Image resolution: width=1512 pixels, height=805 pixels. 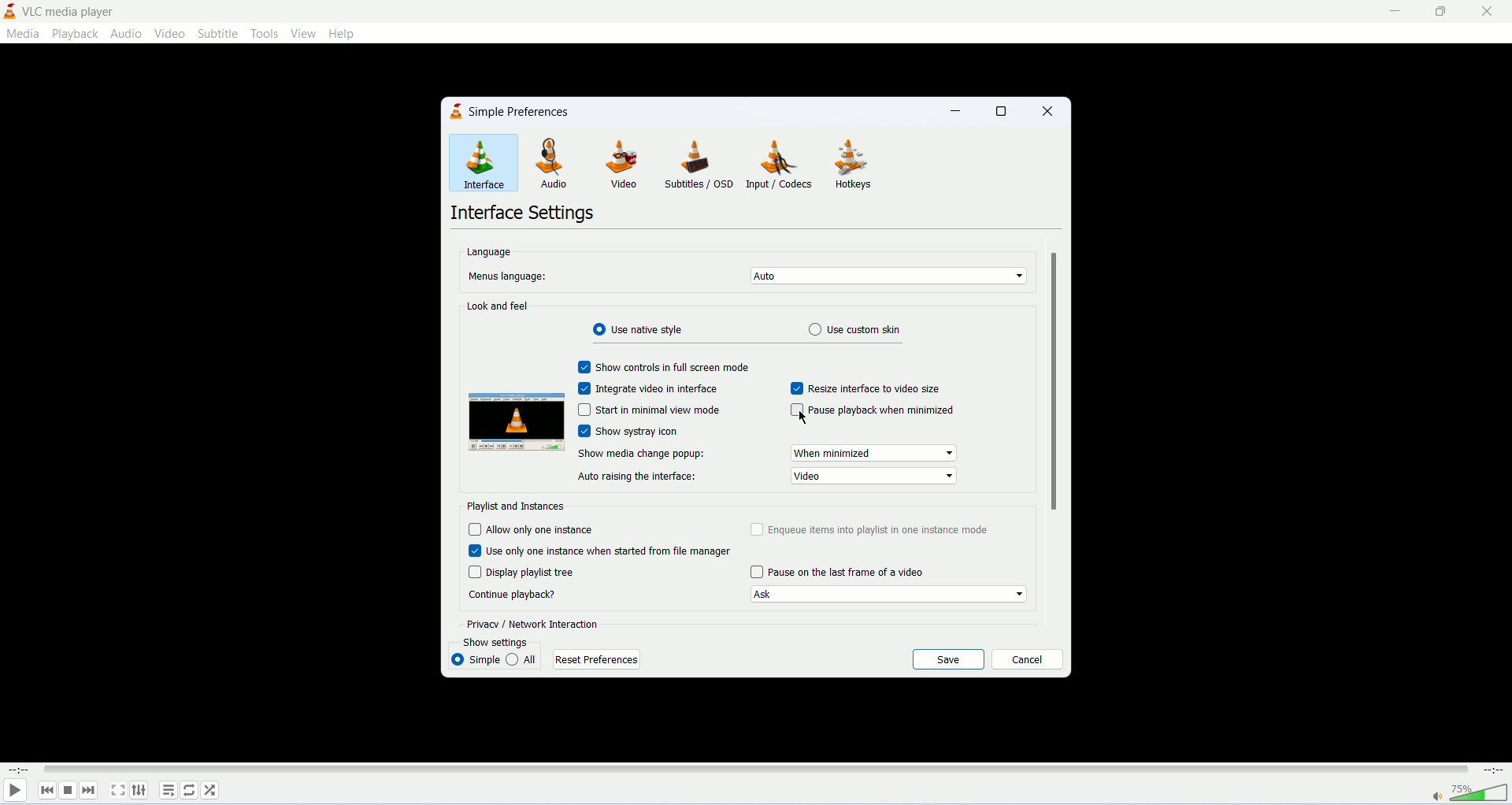 I want to click on interface, so click(x=475, y=166).